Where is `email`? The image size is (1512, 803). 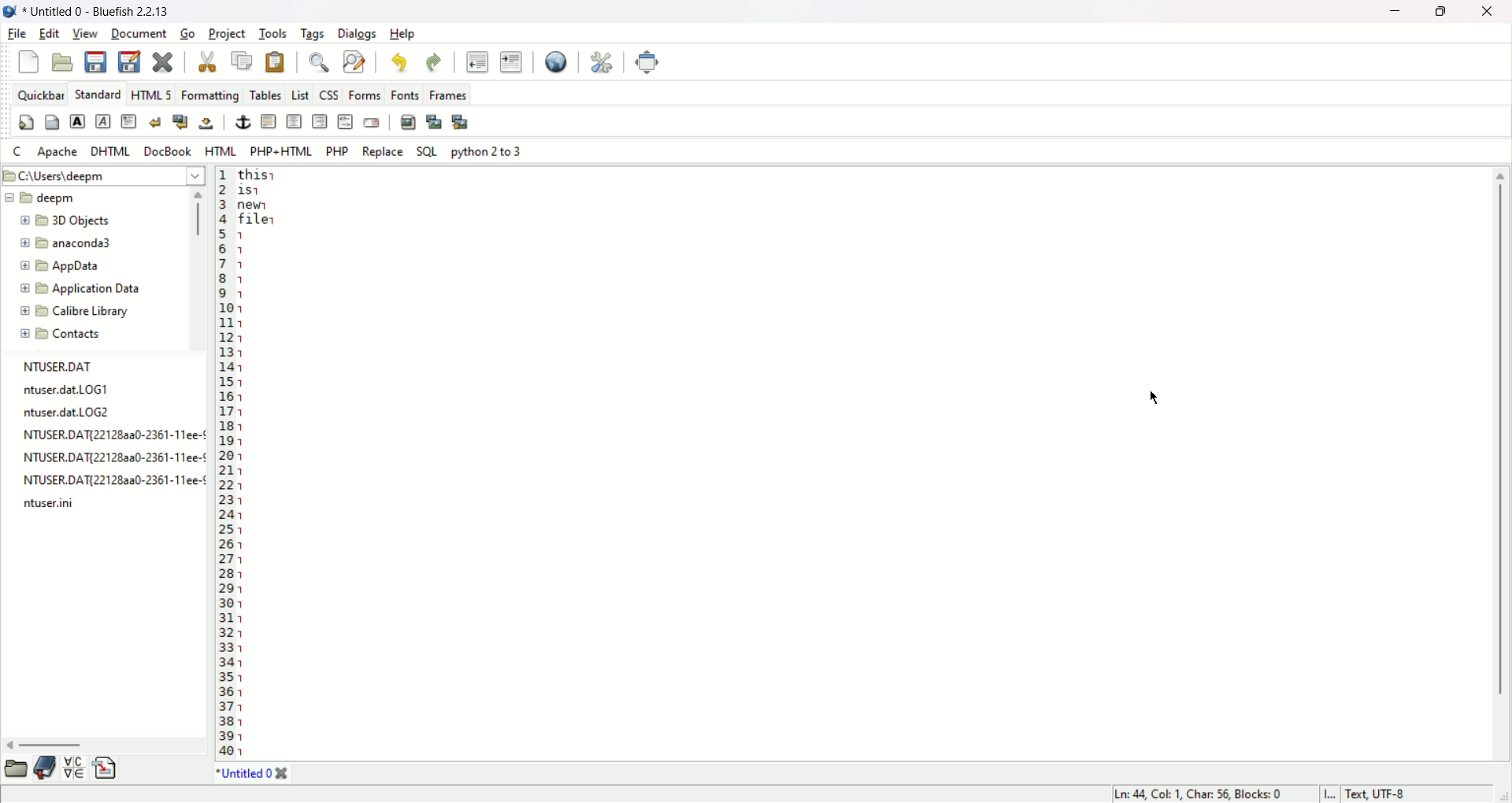 email is located at coordinates (372, 122).